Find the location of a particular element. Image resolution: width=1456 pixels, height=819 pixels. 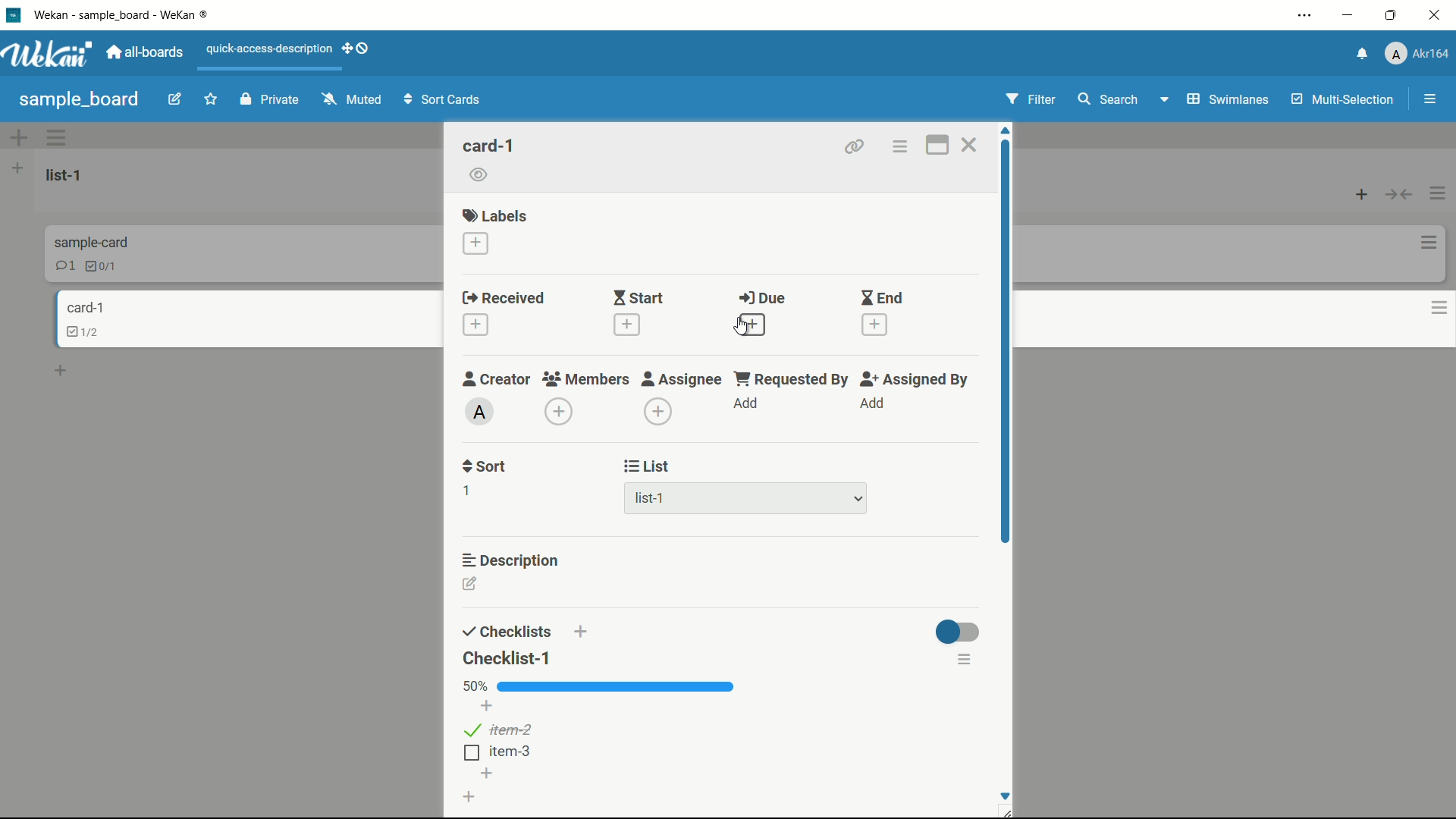

members is located at coordinates (584, 379).